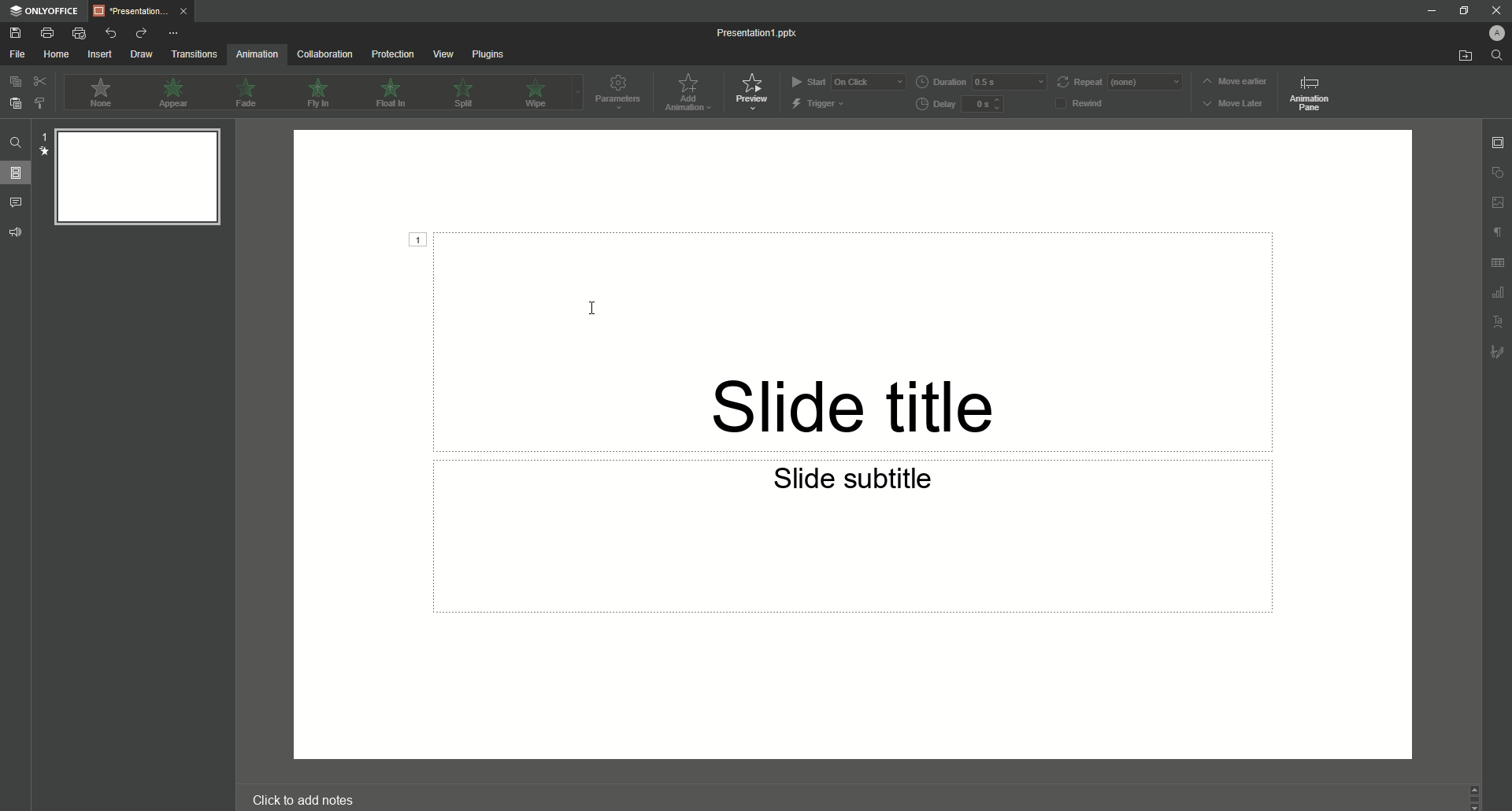 The height and width of the screenshot is (811, 1512). What do you see at coordinates (142, 34) in the screenshot?
I see `Redo` at bounding box center [142, 34].